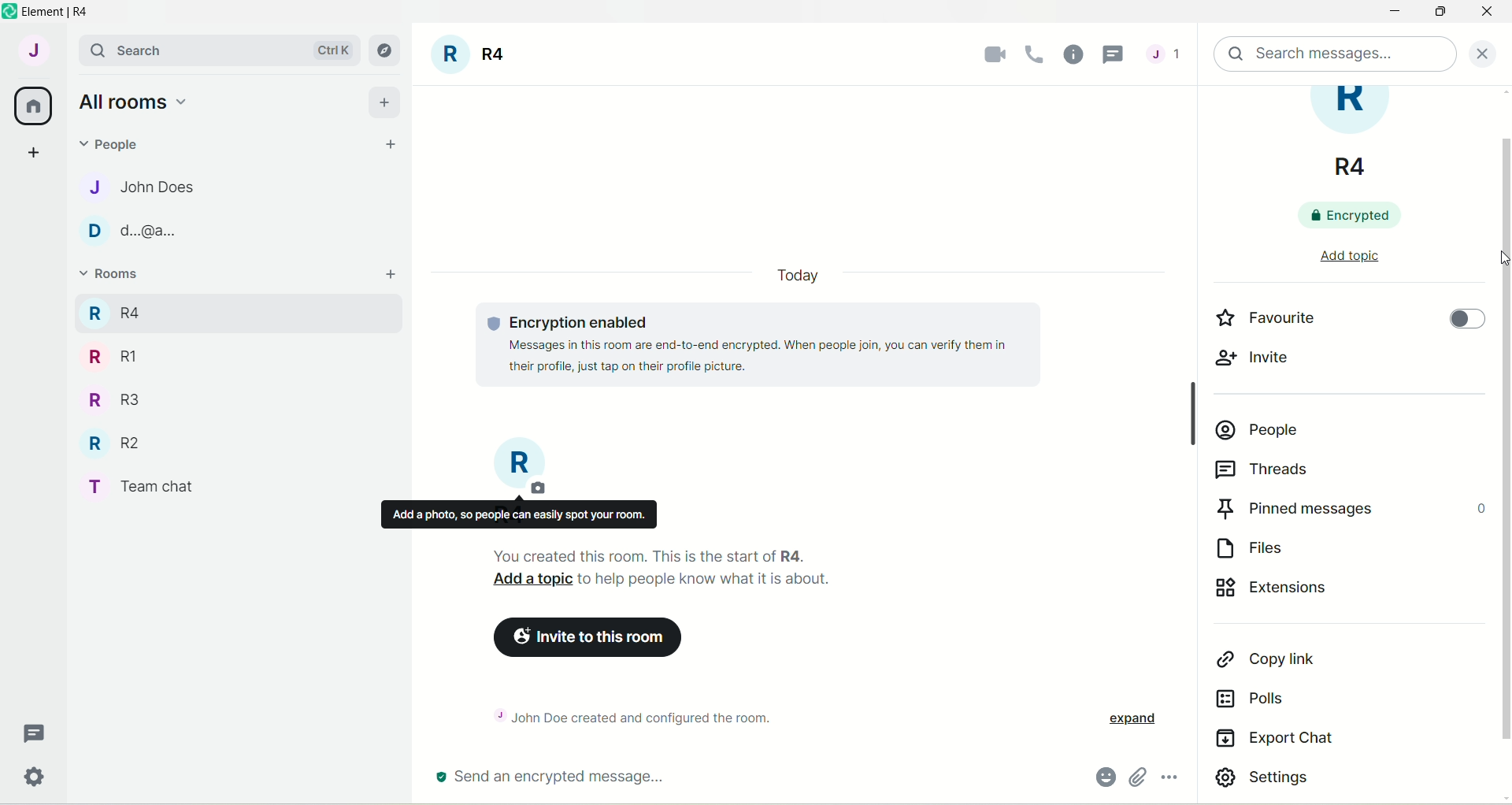 The height and width of the screenshot is (805, 1512). Describe the element at coordinates (1075, 53) in the screenshot. I see `room info` at that location.